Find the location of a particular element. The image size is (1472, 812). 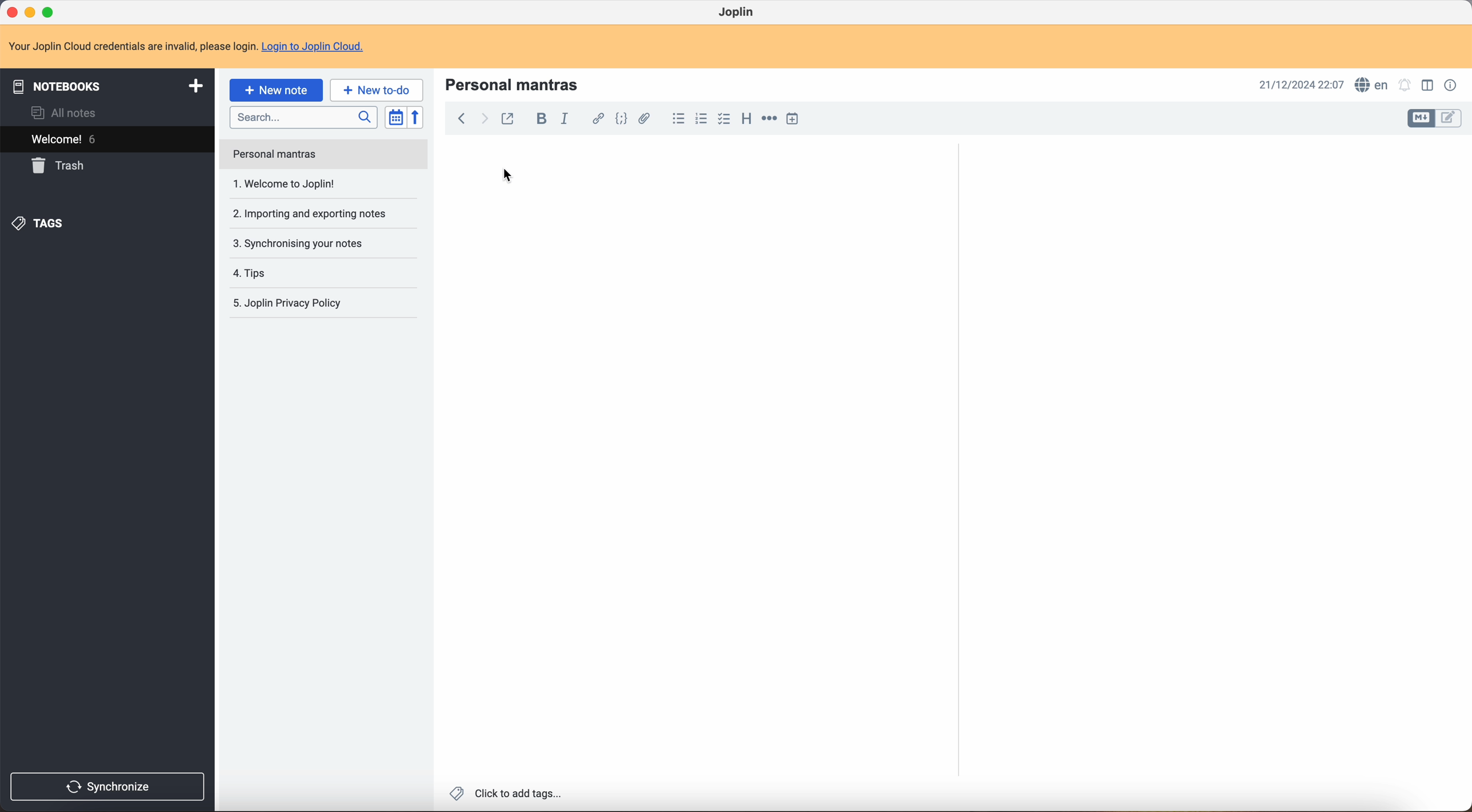

welcome to Joplin is located at coordinates (287, 155).